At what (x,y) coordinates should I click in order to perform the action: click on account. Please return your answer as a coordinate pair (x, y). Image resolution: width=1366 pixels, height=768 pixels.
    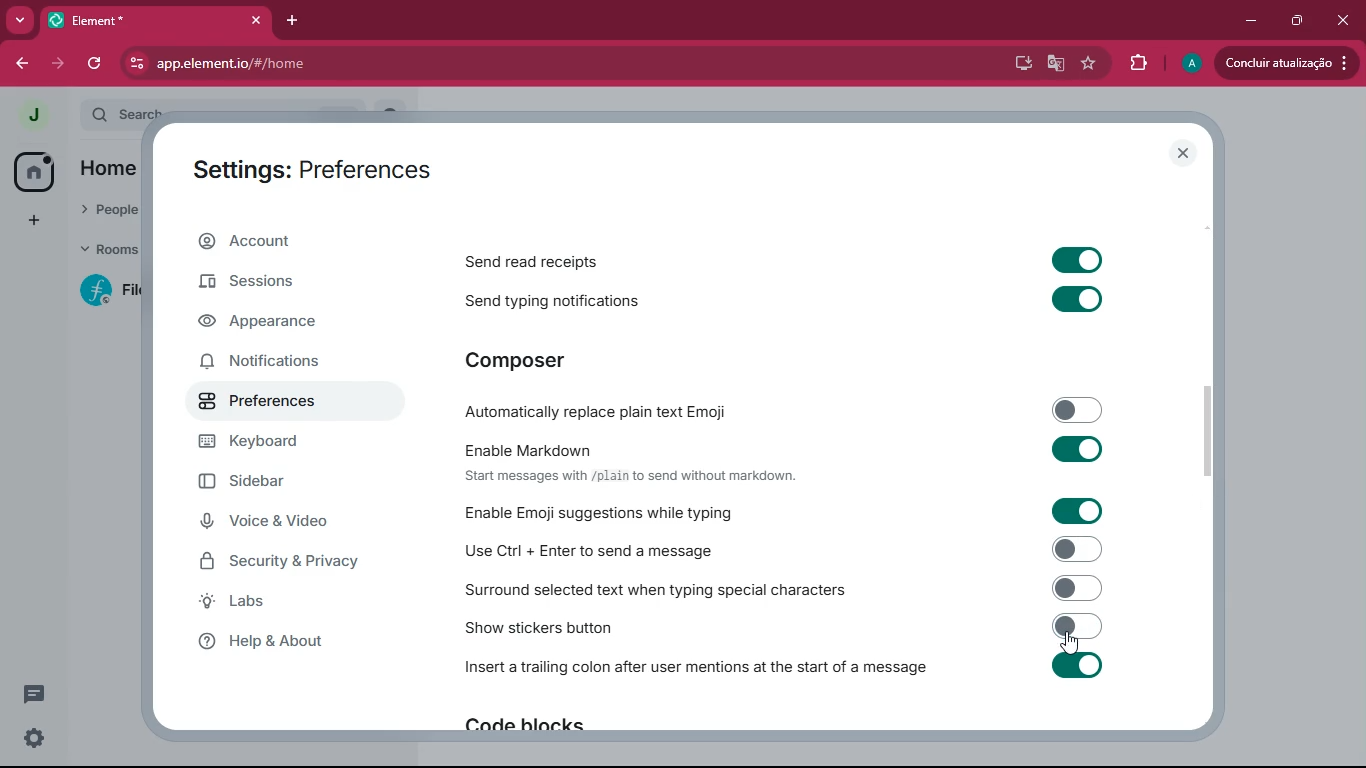
    Looking at the image, I should click on (299, 242).